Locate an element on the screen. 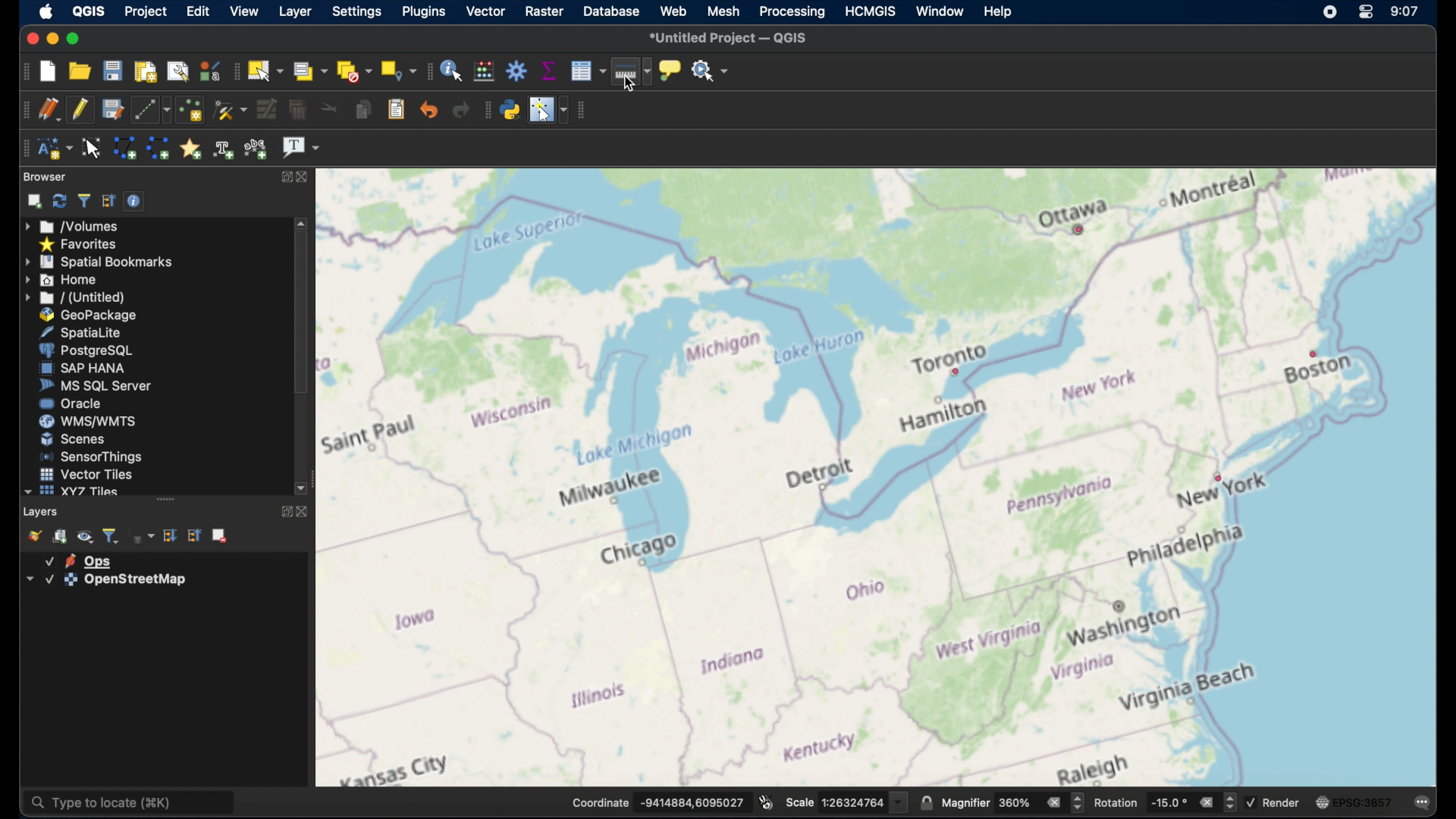  comments is located at coordinates (1423, 801).